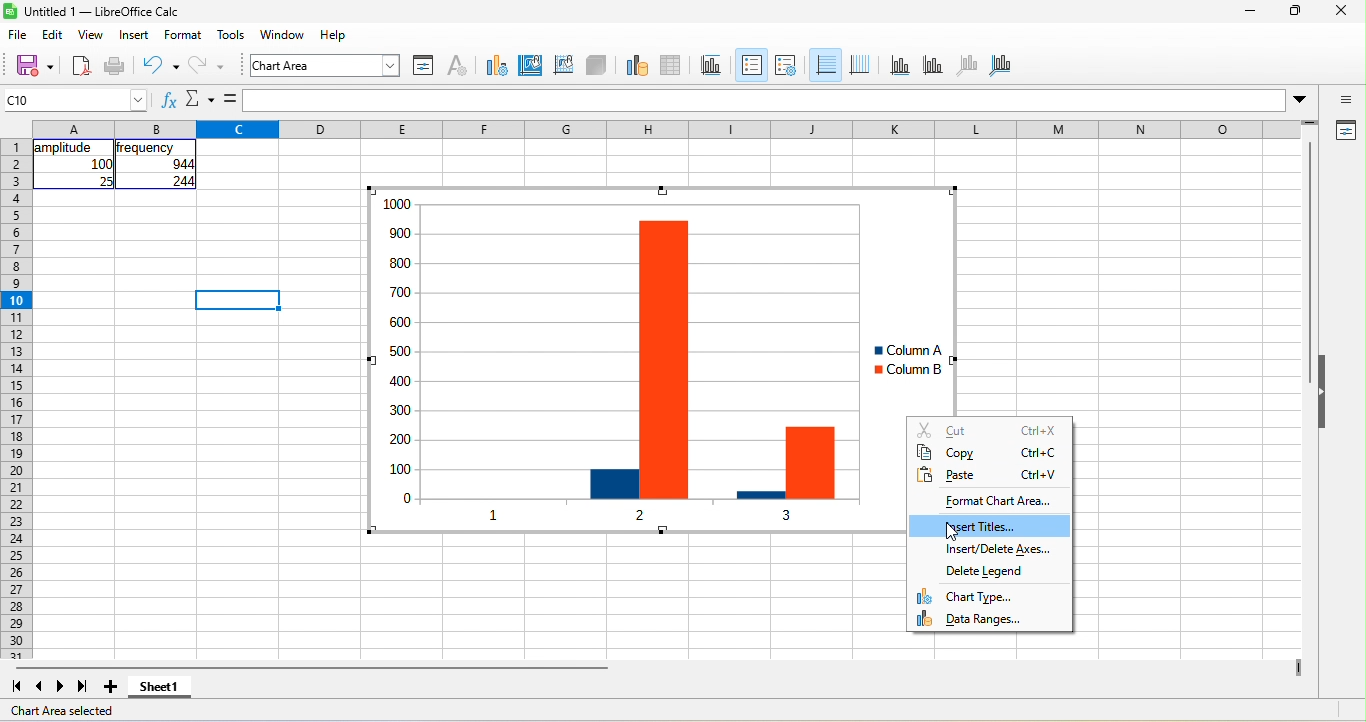  What do you see at coordinates (990, 452) in the screenshot?
I see `copy` at bounding box center [990, 452].